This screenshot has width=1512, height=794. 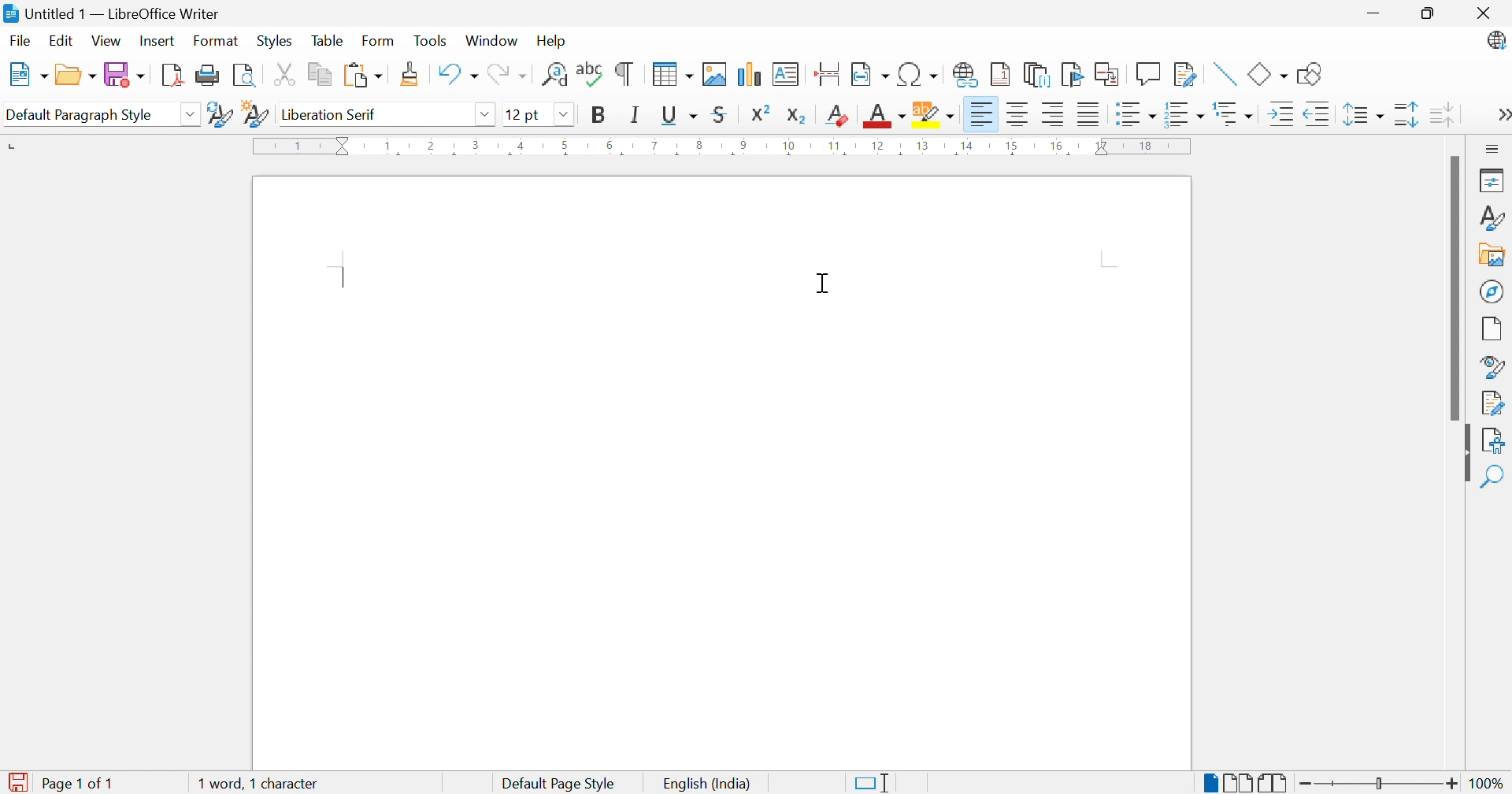 I want to click on Strikethrough, so click(x=720, y=117).